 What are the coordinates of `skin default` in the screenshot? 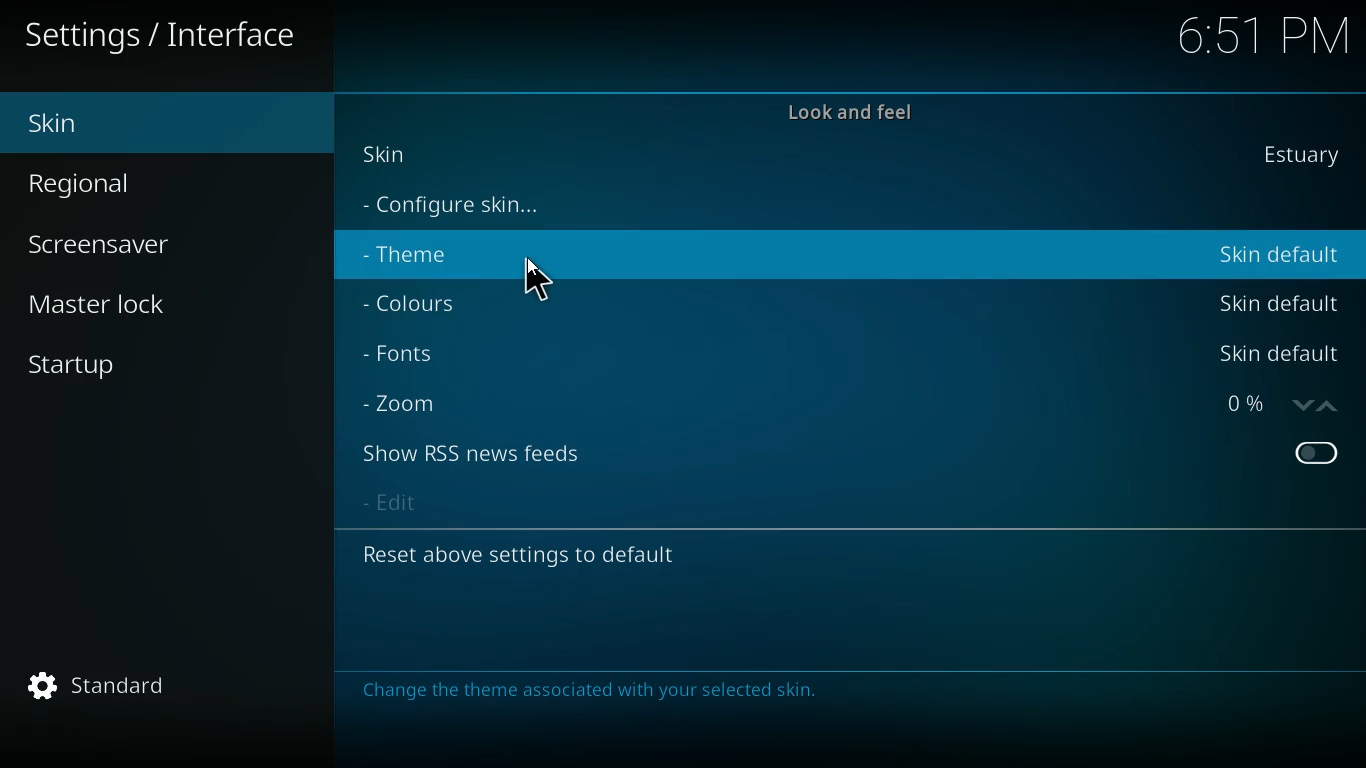 It's located at (1274, 354).